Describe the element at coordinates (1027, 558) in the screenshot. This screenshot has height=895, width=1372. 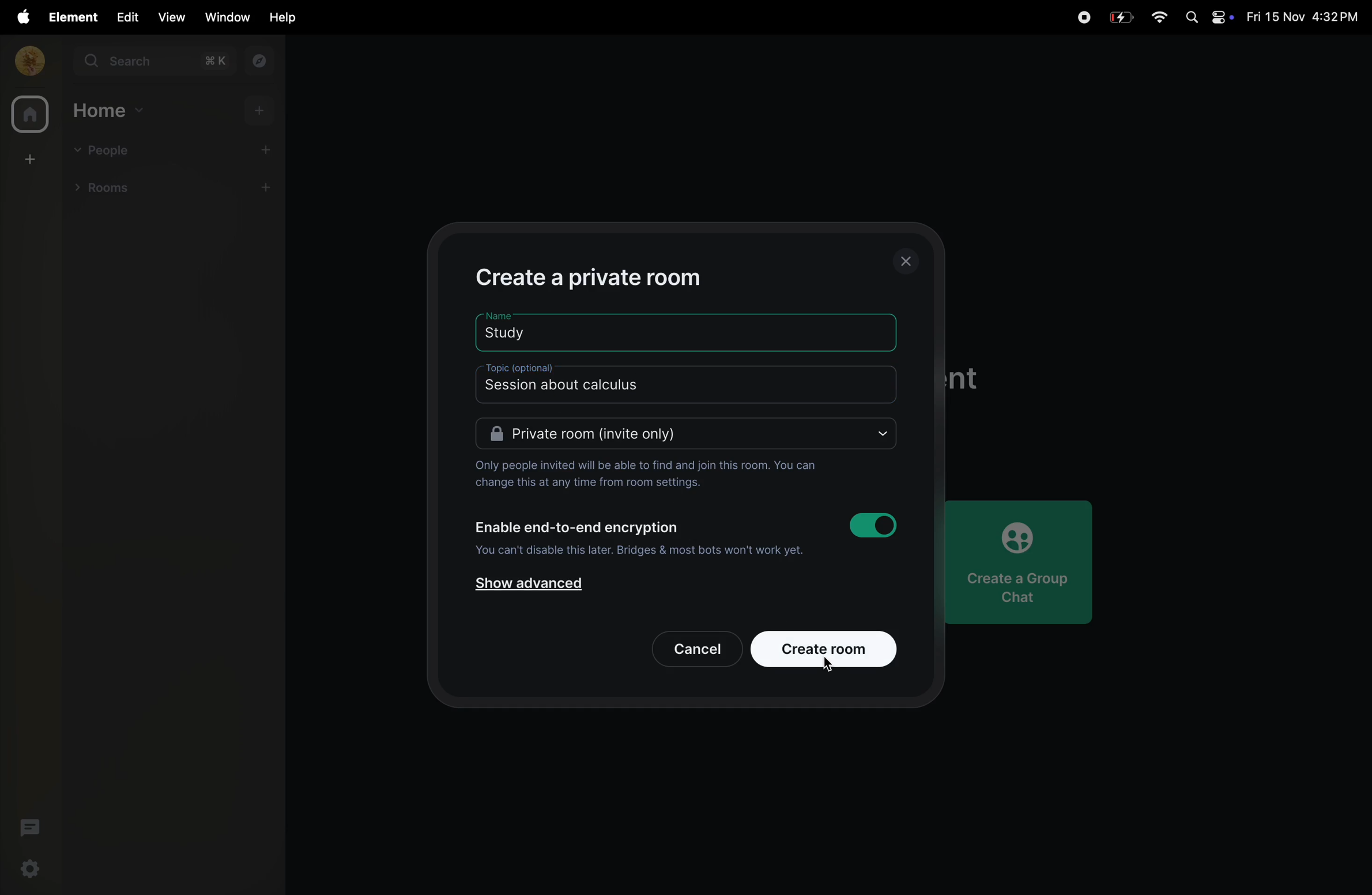
I see `create a group chat` at that location.